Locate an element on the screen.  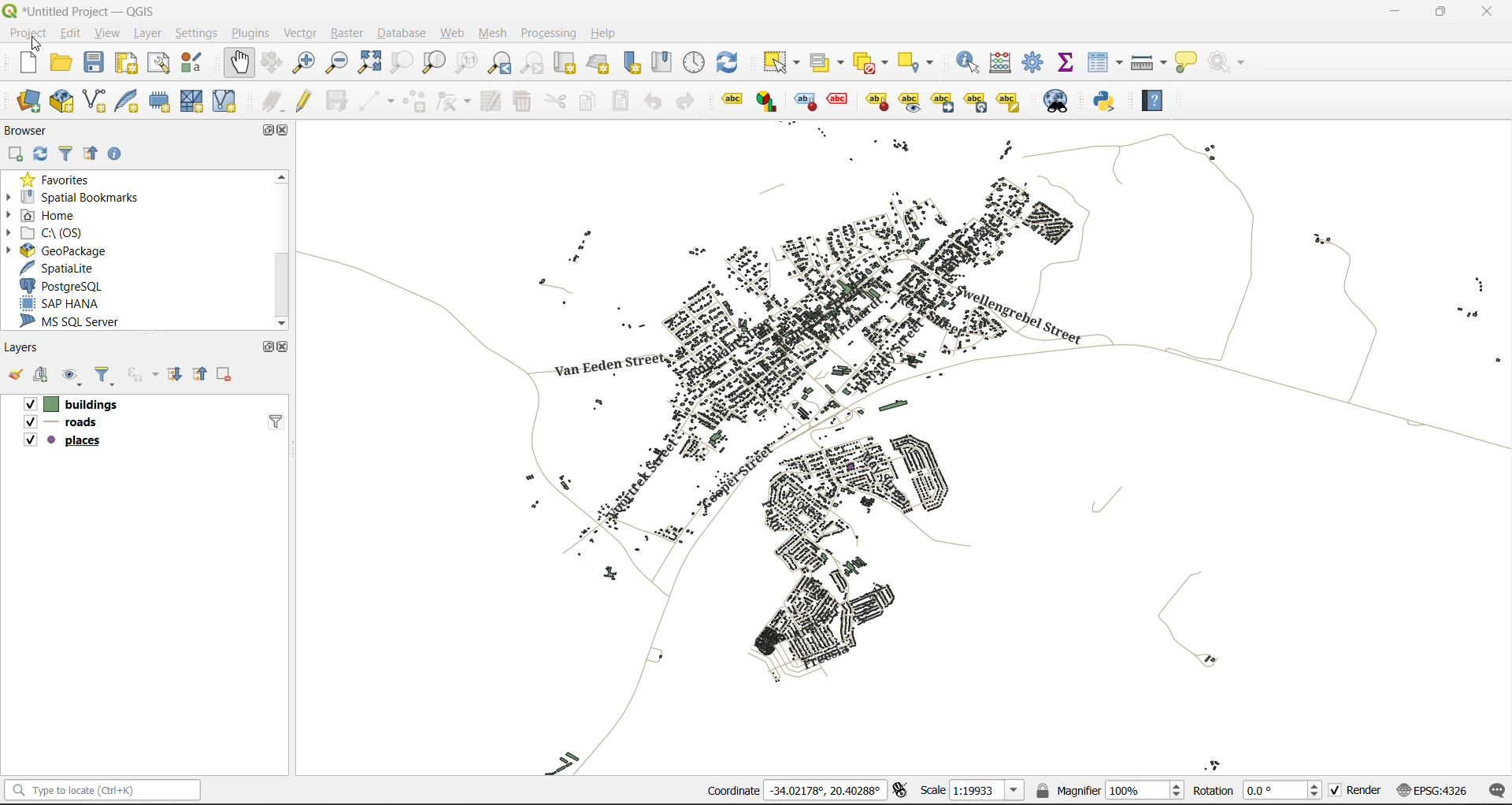
open is located at coordinates (61, 61).